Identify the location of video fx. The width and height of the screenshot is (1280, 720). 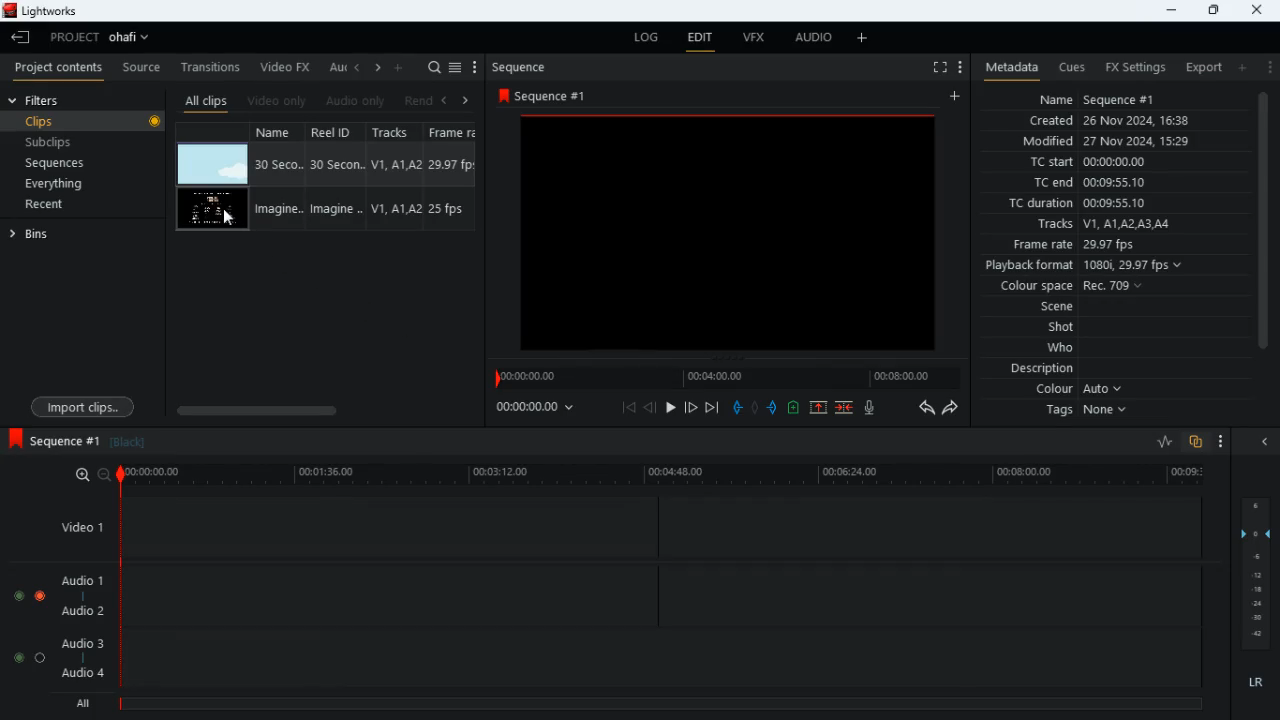
(286, 68).